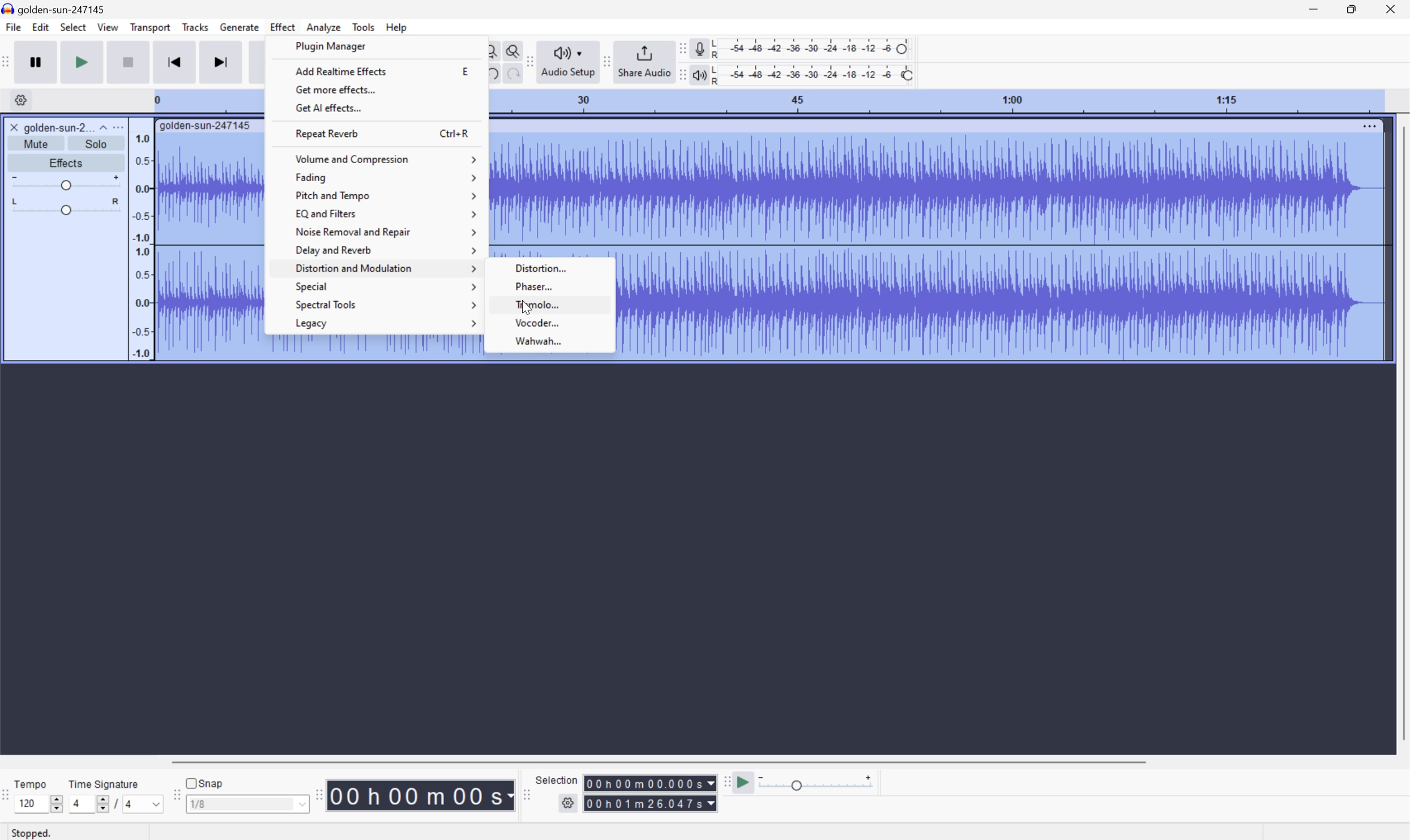  Describe the element at coordinates (47, 127) in the screenshot. I see `golden-sun` at that location.